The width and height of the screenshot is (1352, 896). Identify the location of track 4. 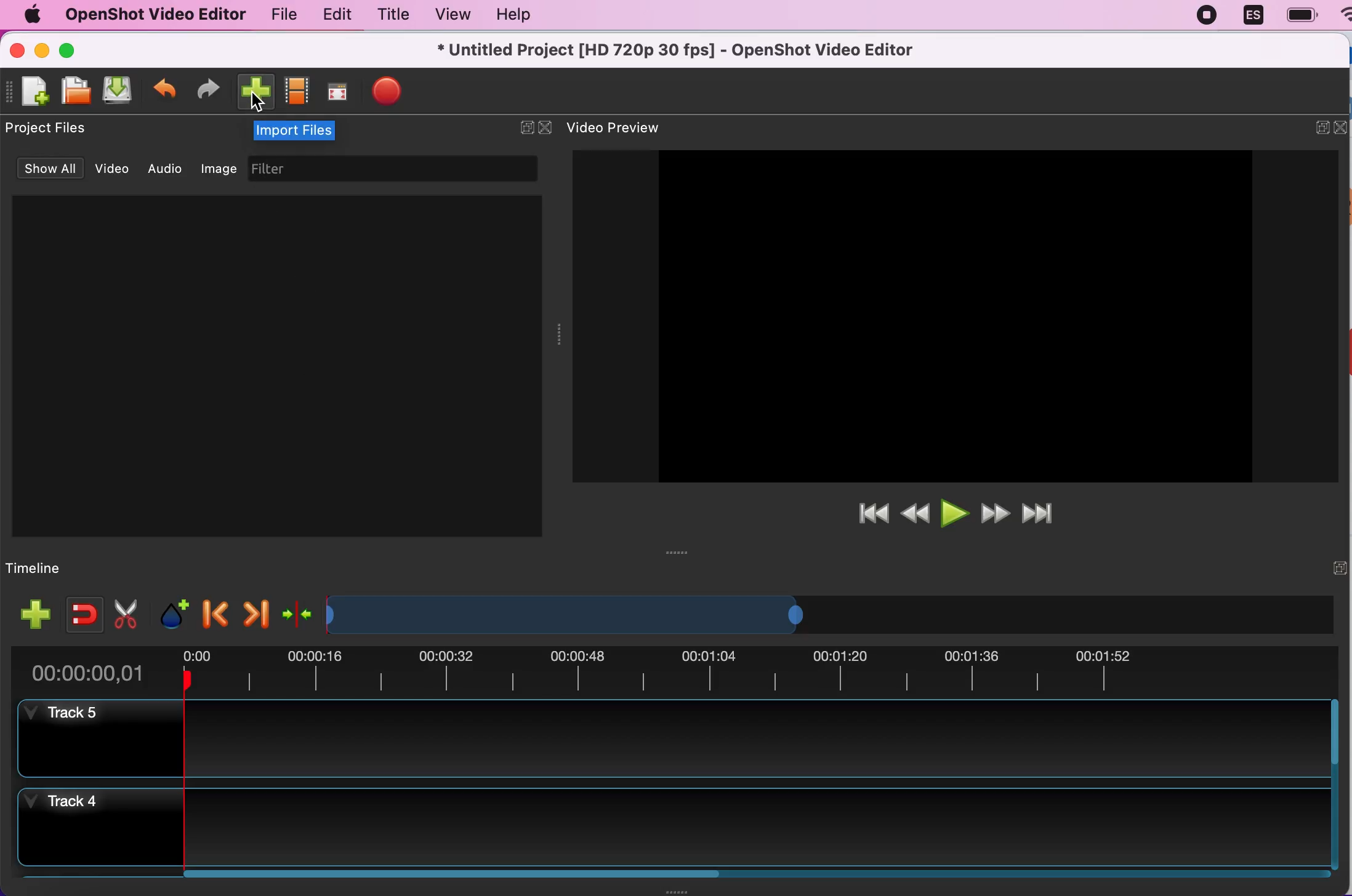
(672, 828).